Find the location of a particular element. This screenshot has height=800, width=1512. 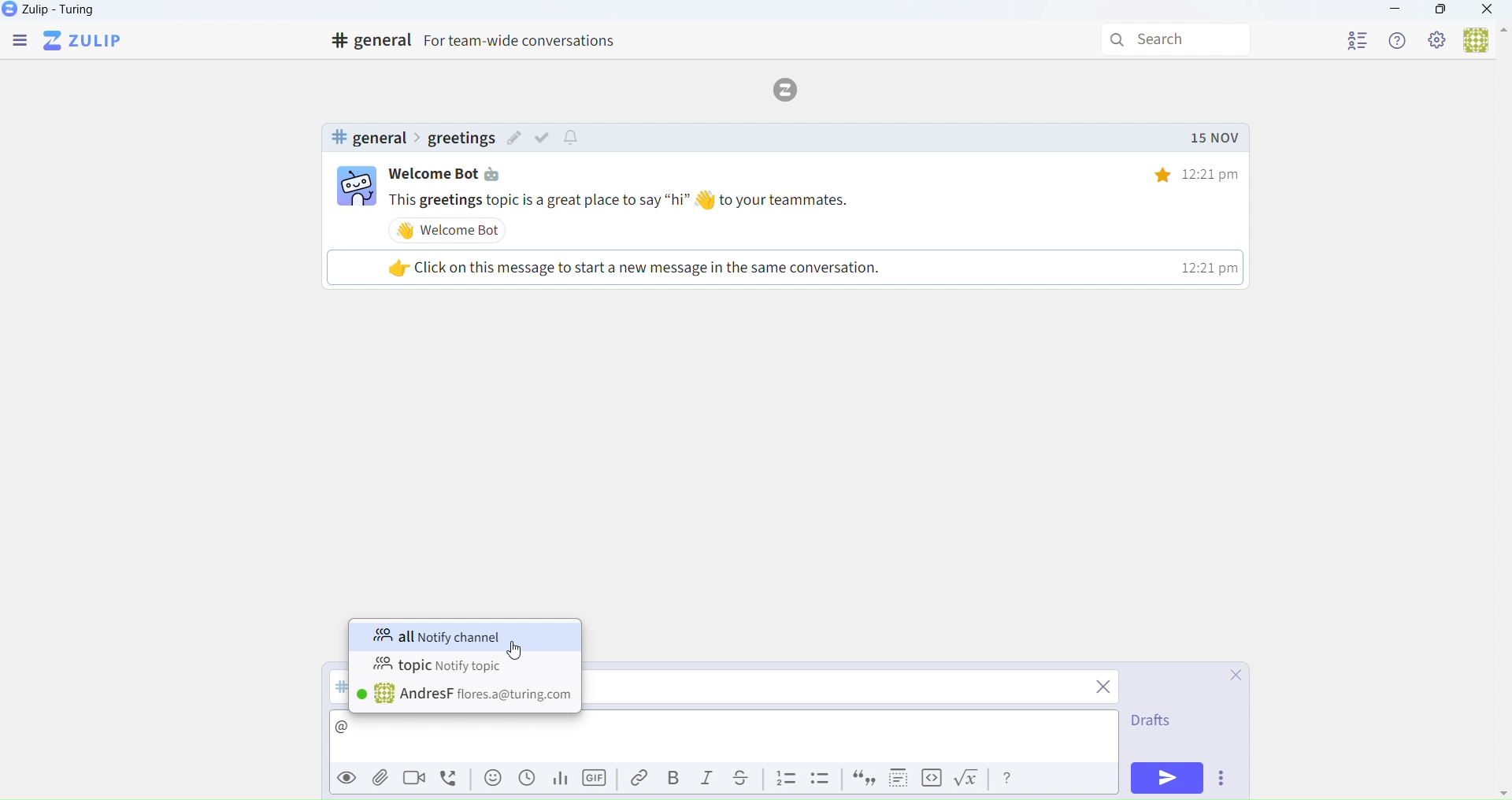

Users is located at coordinates (1484, 42).